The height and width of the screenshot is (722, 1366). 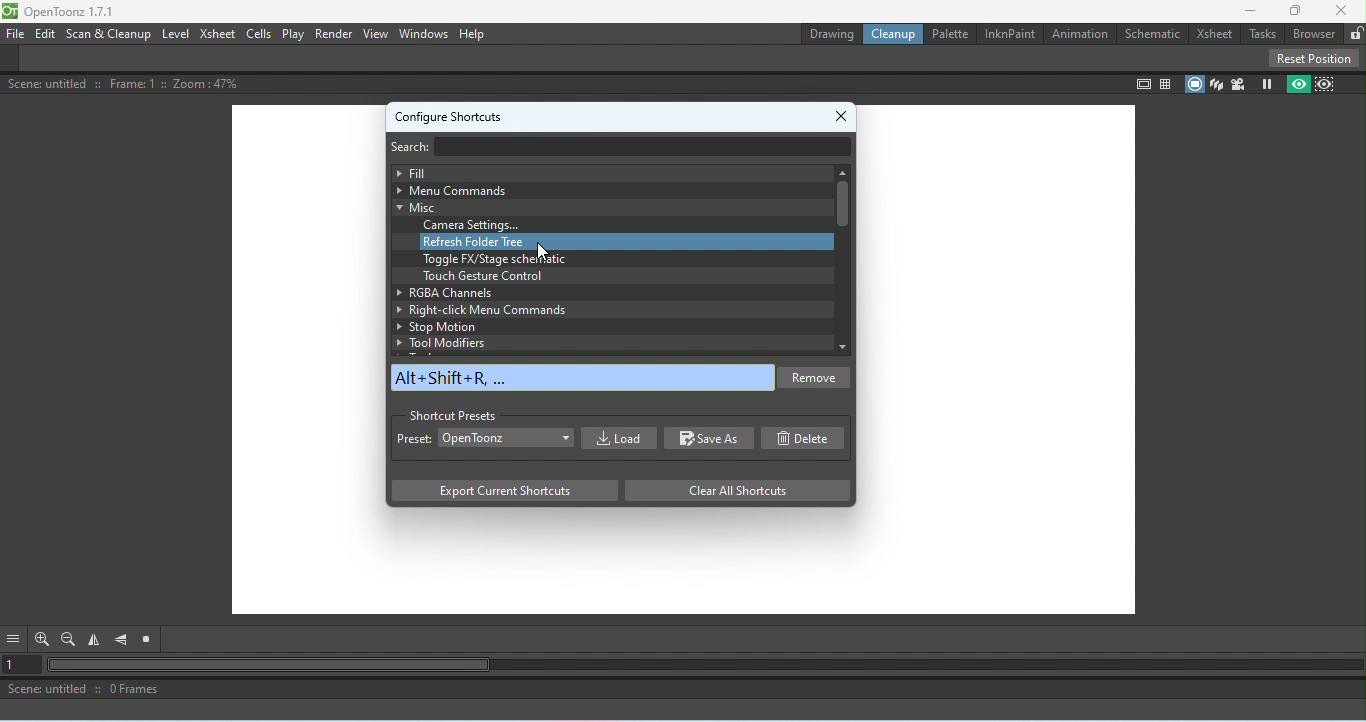 I want to click on Scan & Cleanup, so click(x=109, y=34).